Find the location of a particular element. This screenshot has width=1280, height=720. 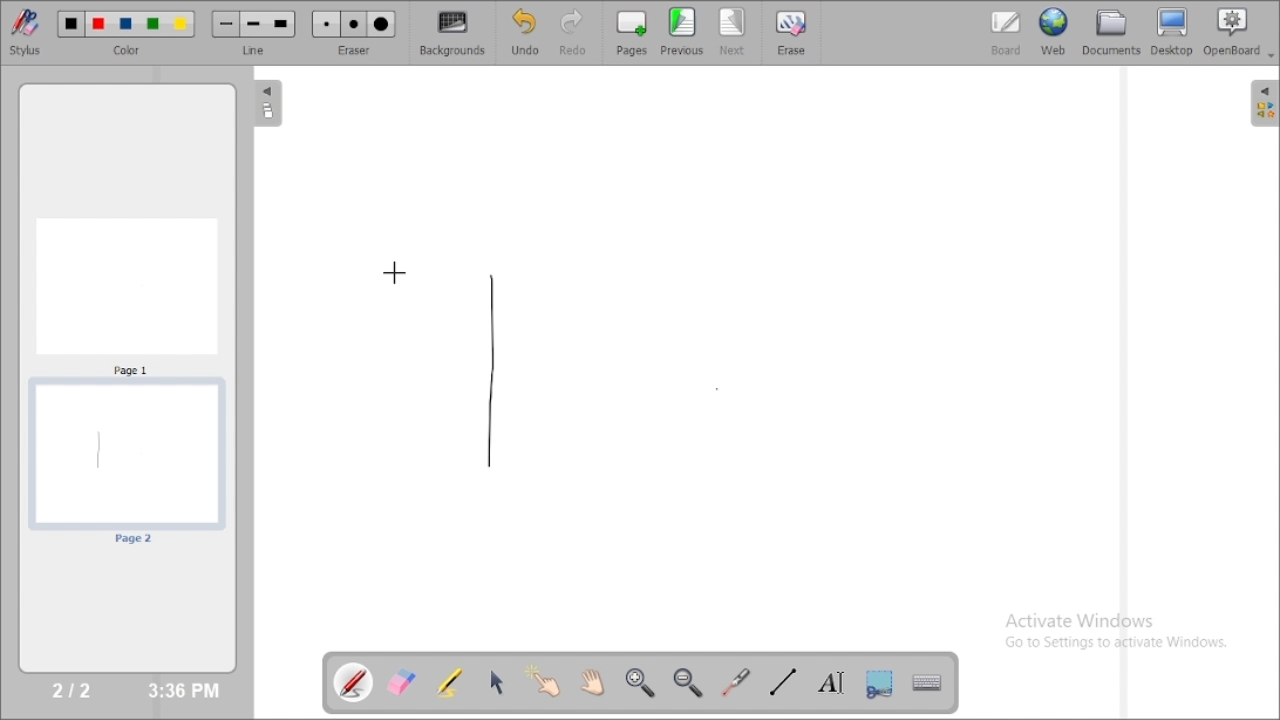

openboard is located at coordinates (1239, 33).